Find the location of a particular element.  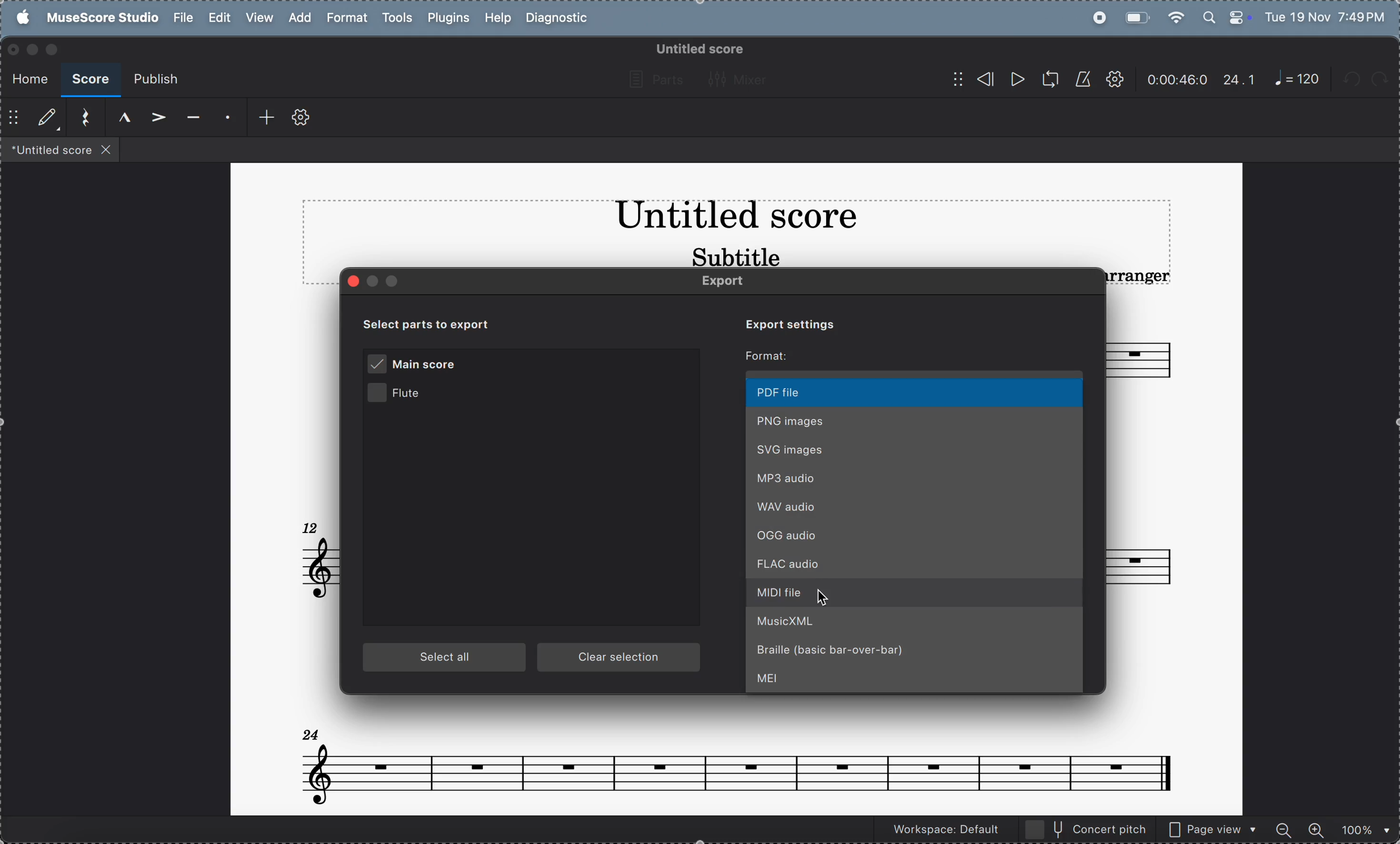

untitled score is located at coordinates (698, 49).